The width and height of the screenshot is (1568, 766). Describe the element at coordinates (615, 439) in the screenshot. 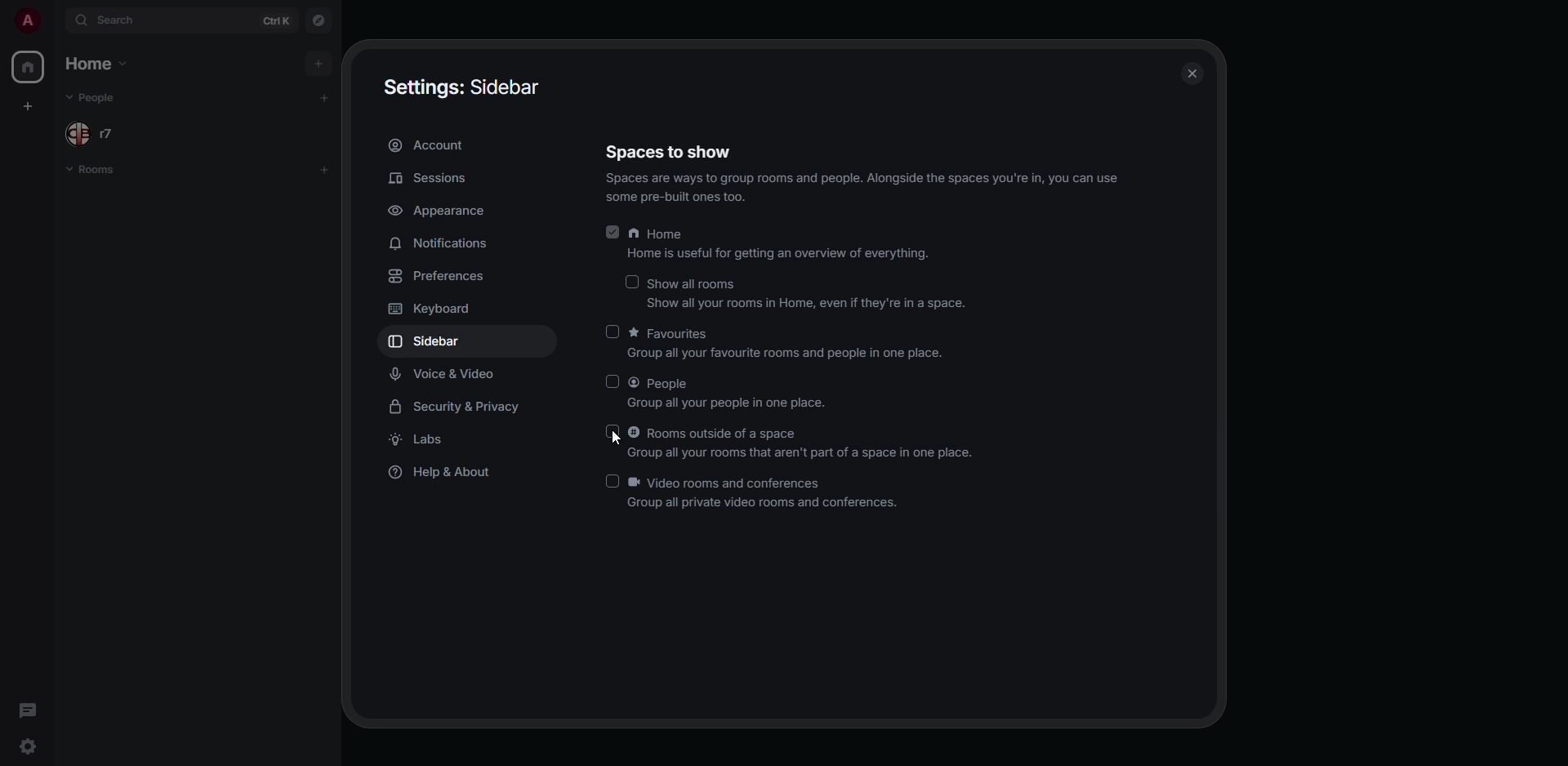

I see `cursor` at that location.